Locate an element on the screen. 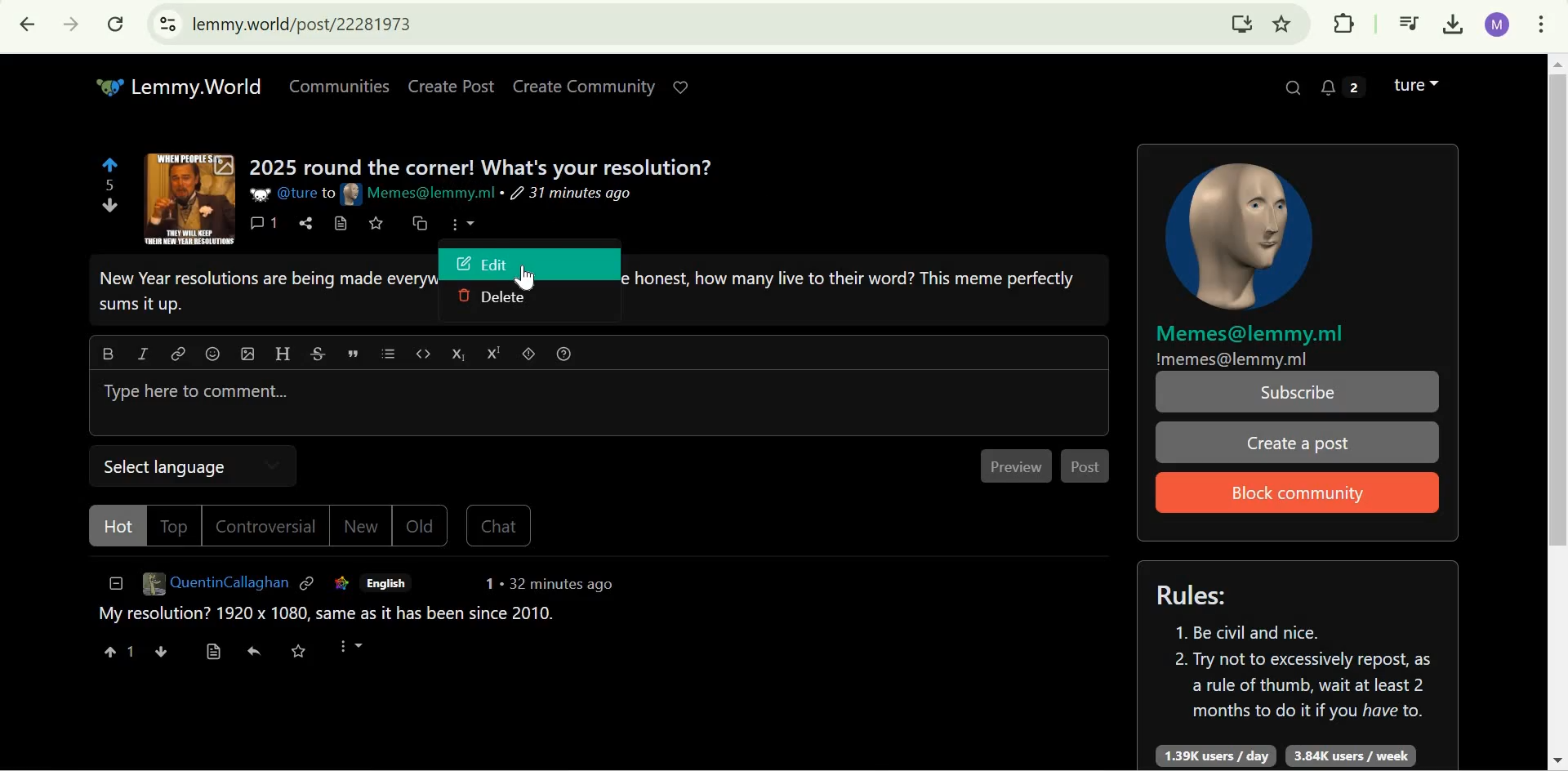 Image resolution: width=1568 pixels, height=771 pixels. Create a post is located at coordinates (1295, 443).